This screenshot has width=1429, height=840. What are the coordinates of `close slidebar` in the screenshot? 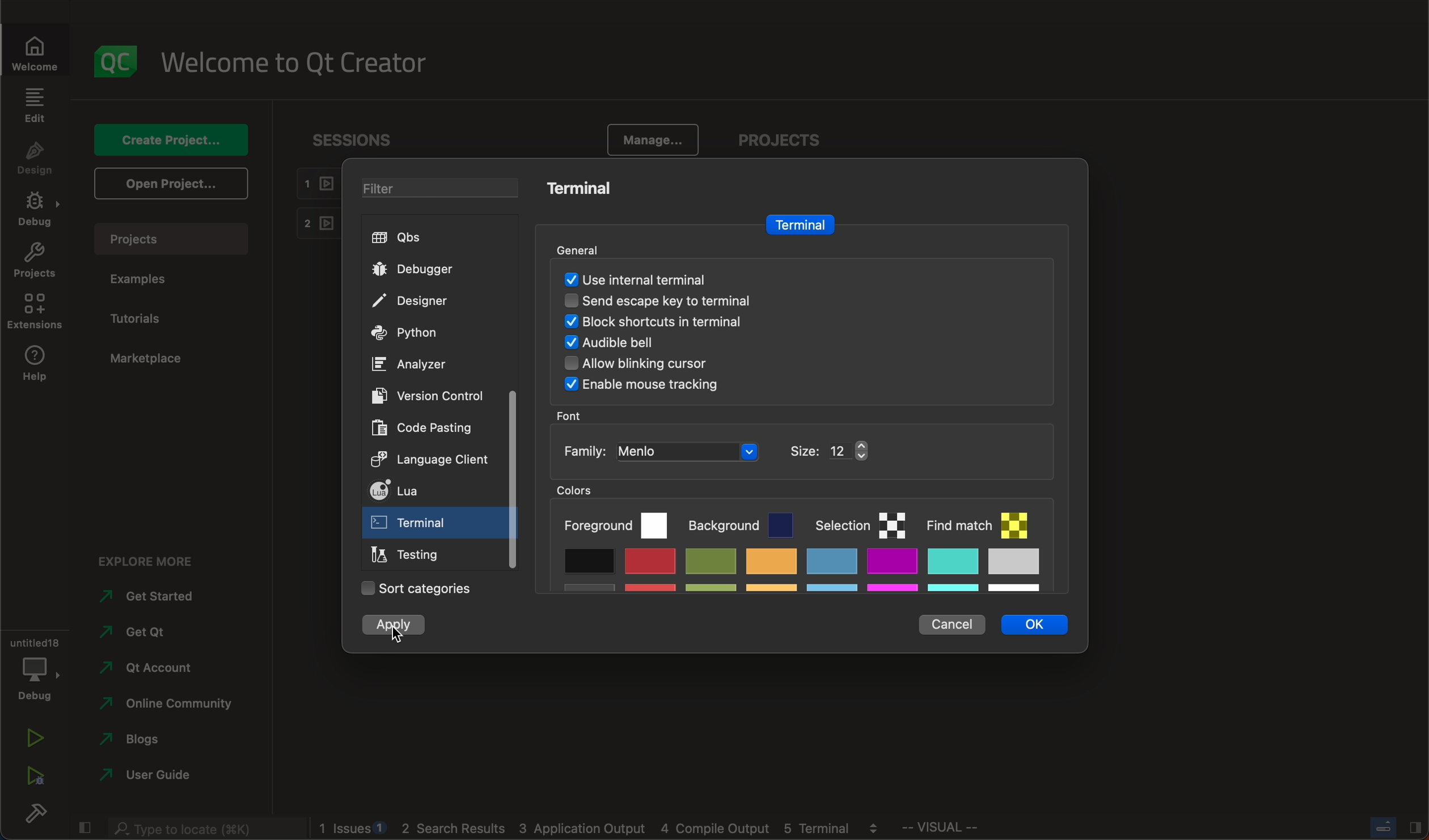 It's located at (84, 828).